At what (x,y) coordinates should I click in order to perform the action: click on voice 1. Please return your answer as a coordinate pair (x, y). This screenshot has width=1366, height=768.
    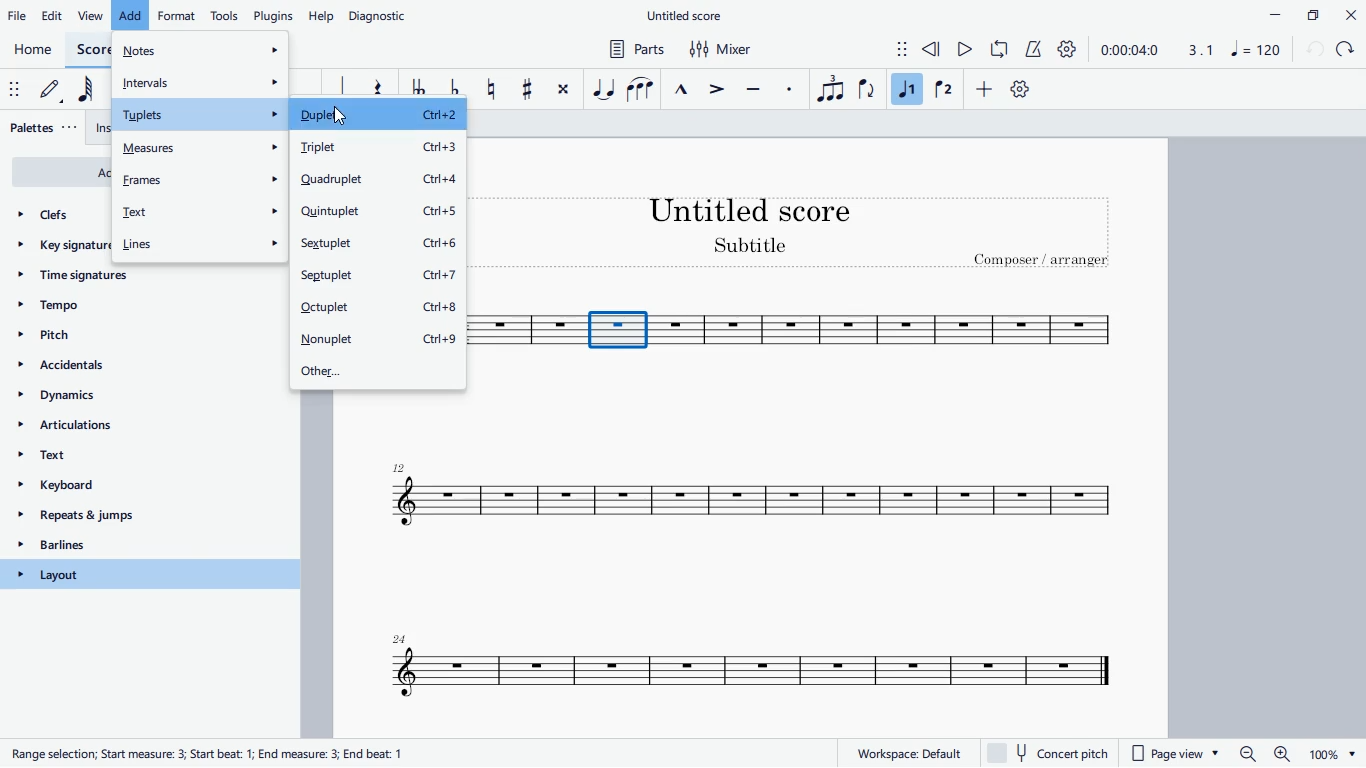
    Looking at the image, I should click on (907, 89).